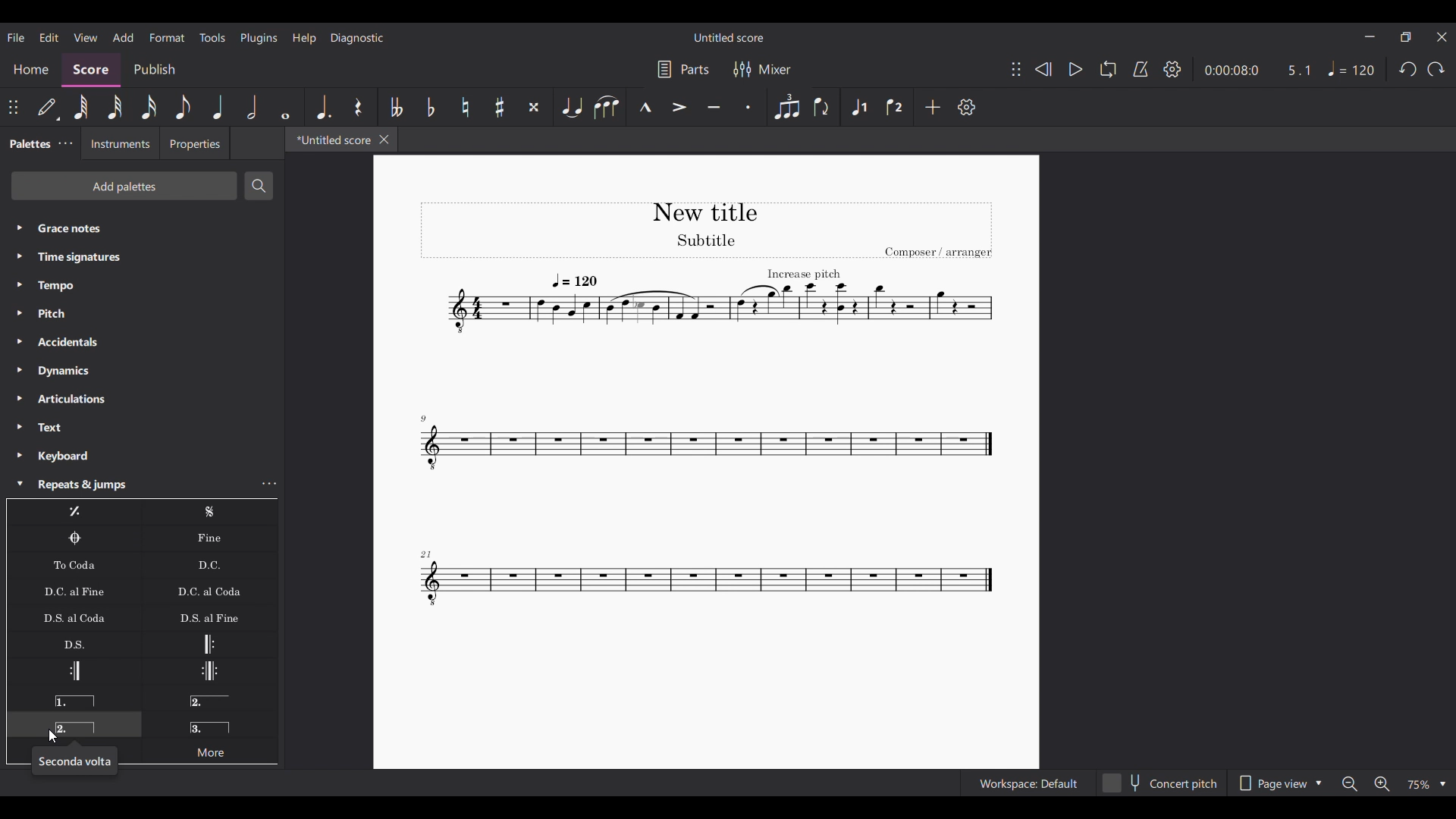  I want to click on Zoom options, so click(1425, 785).